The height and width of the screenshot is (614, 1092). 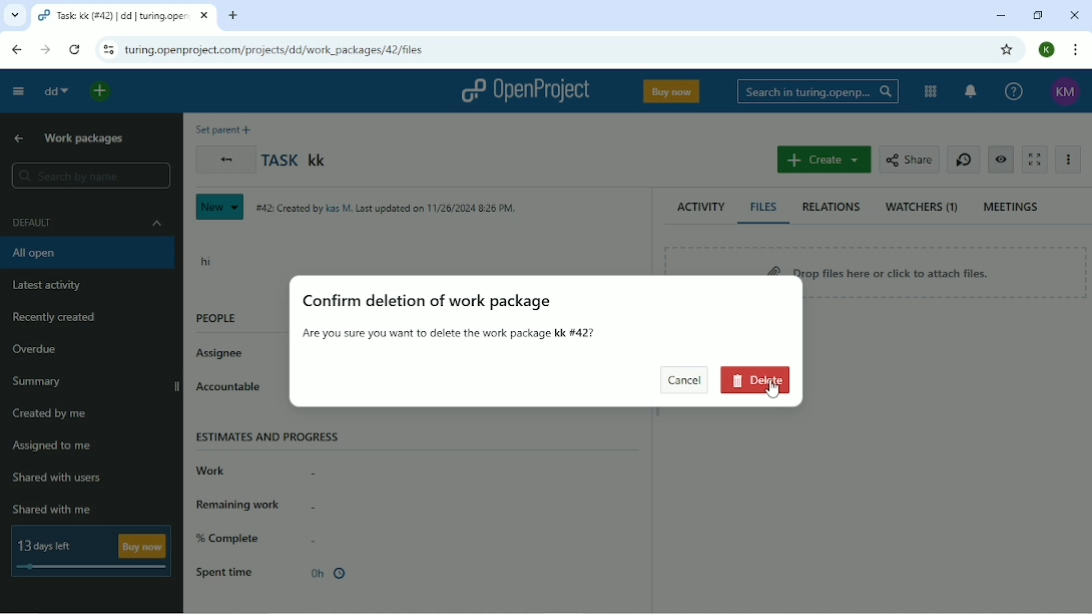 I want to click on All open, so click(x=89, y=254).